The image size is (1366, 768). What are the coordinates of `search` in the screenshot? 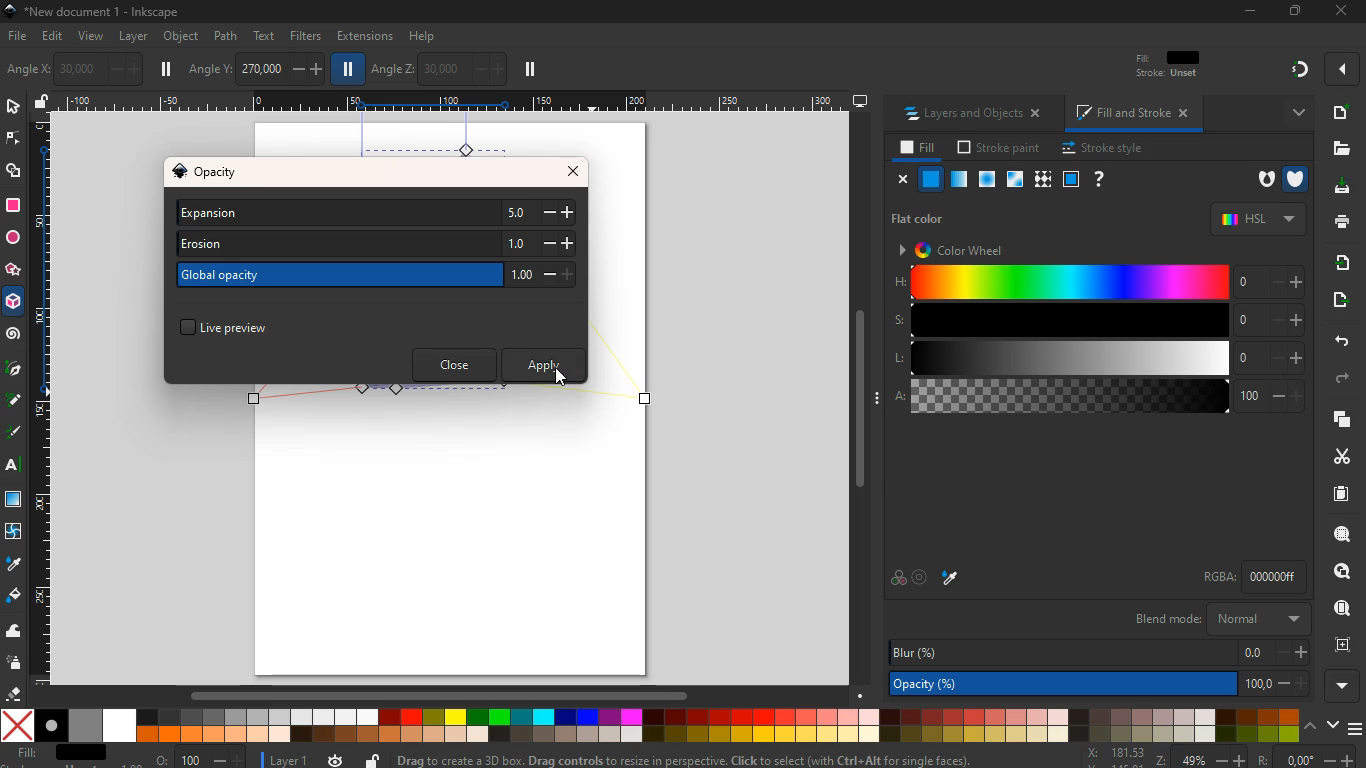 It's located at (1338, 536).